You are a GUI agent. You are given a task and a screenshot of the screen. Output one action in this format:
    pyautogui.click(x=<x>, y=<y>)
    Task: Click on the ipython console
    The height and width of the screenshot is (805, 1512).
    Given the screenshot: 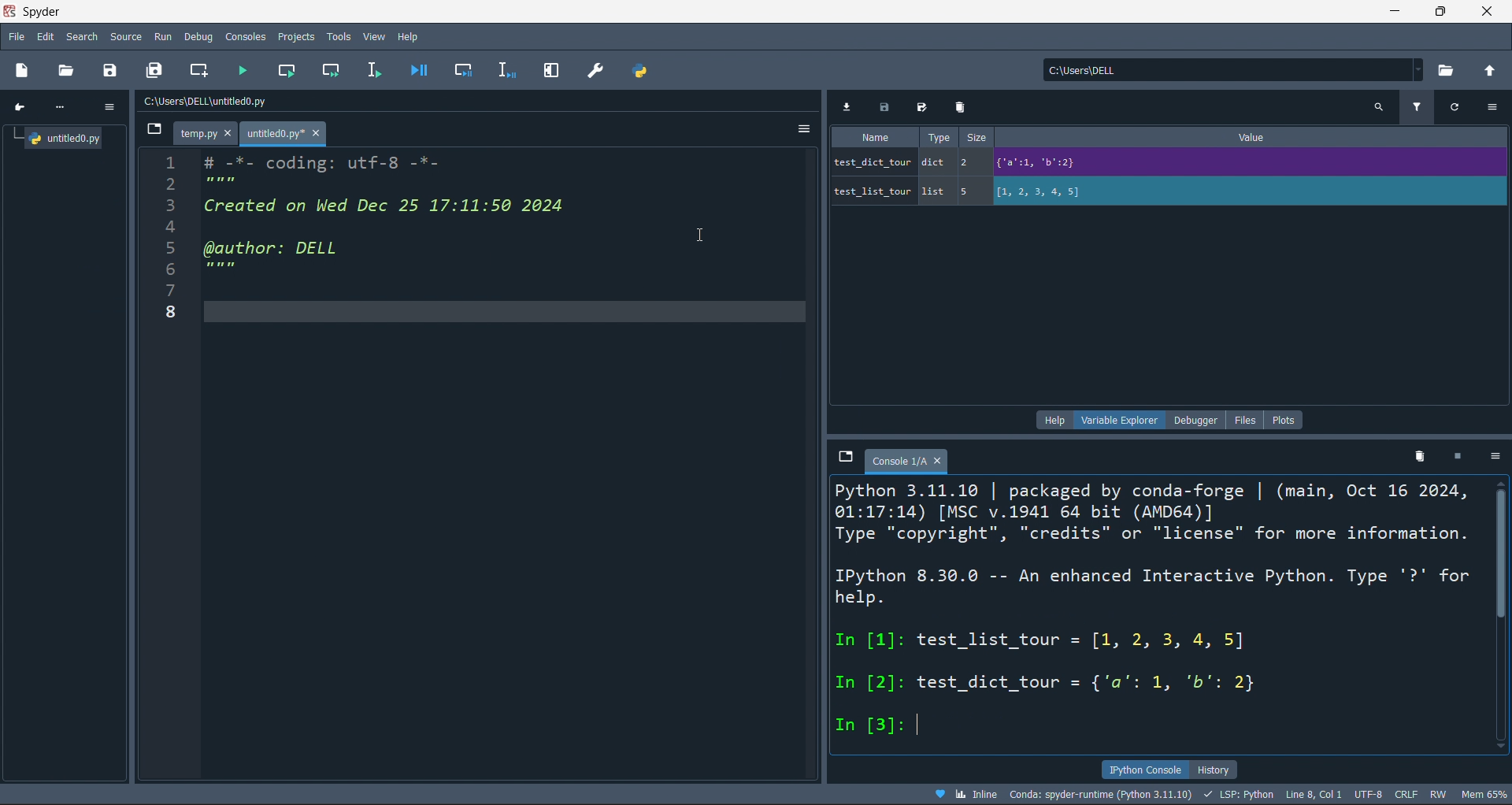 What is the action you would take?
    pyautogui.click(x=1150, y=770)
    